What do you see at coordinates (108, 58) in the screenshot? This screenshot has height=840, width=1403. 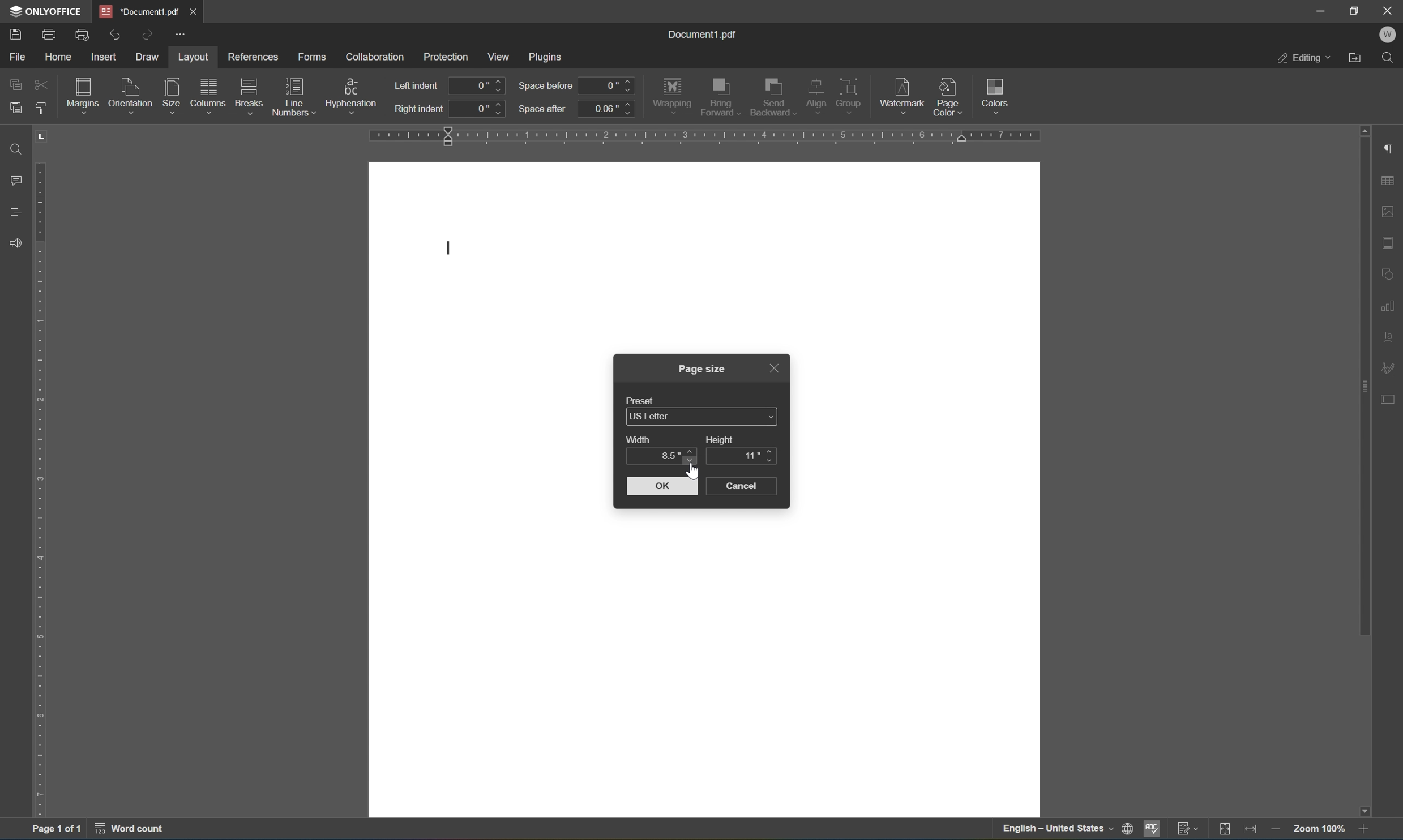 I see `insert` at bounding box center [108, 58].